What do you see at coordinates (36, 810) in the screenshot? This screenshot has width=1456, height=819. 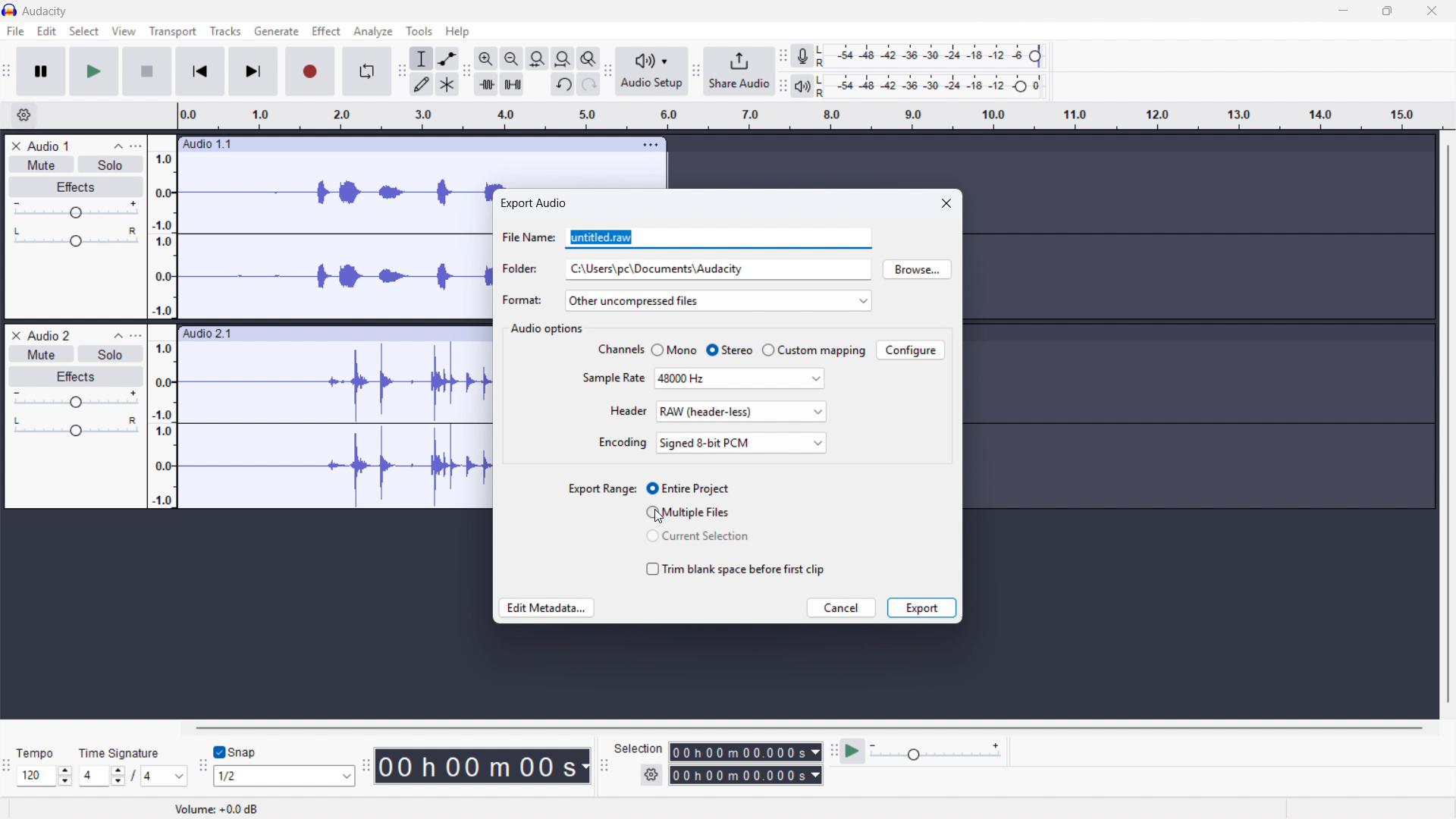 I see `status: stopped` at bounding box center [36, 810].